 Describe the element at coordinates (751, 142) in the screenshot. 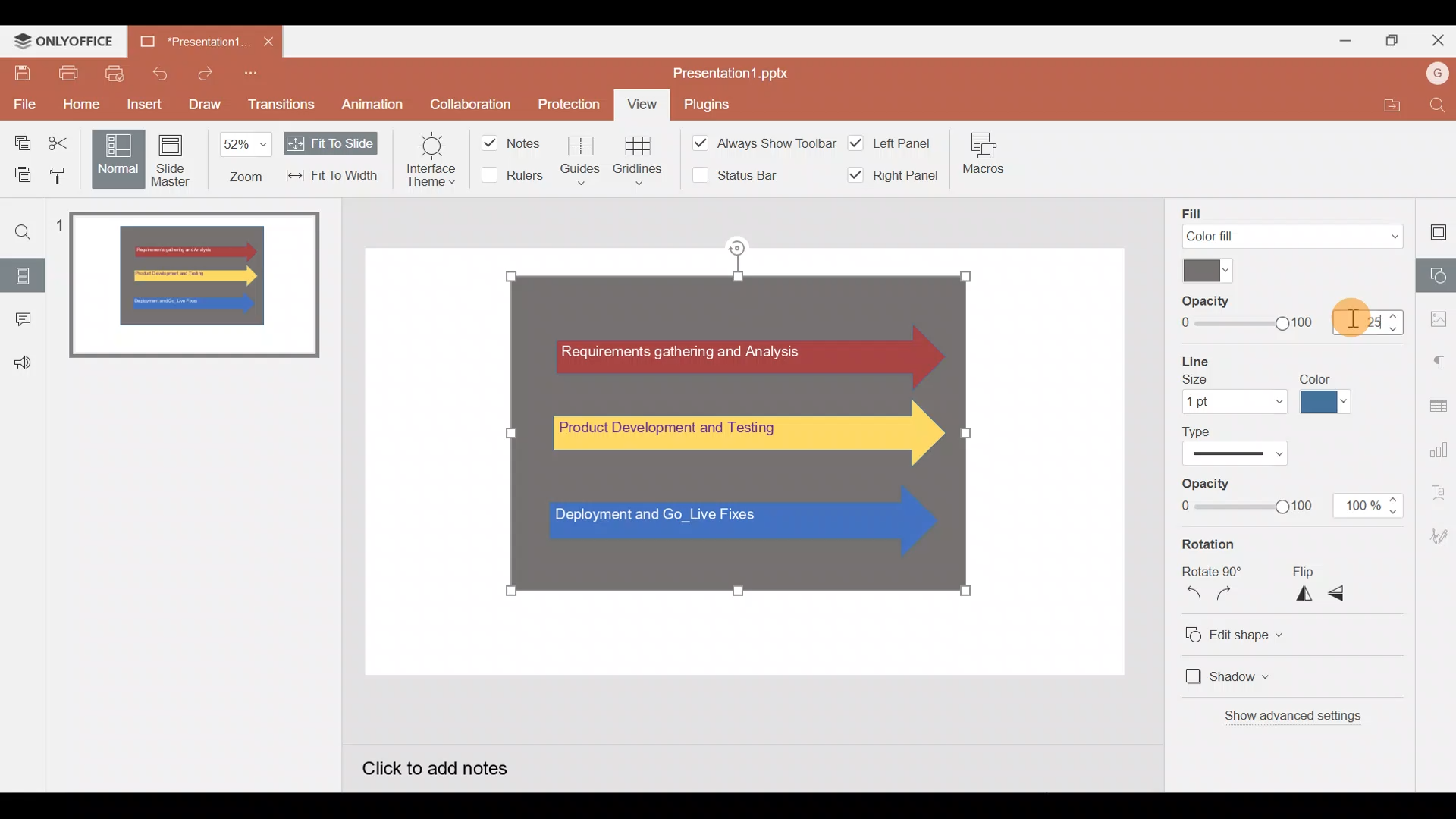

I see `Always show toolbar` at that location.